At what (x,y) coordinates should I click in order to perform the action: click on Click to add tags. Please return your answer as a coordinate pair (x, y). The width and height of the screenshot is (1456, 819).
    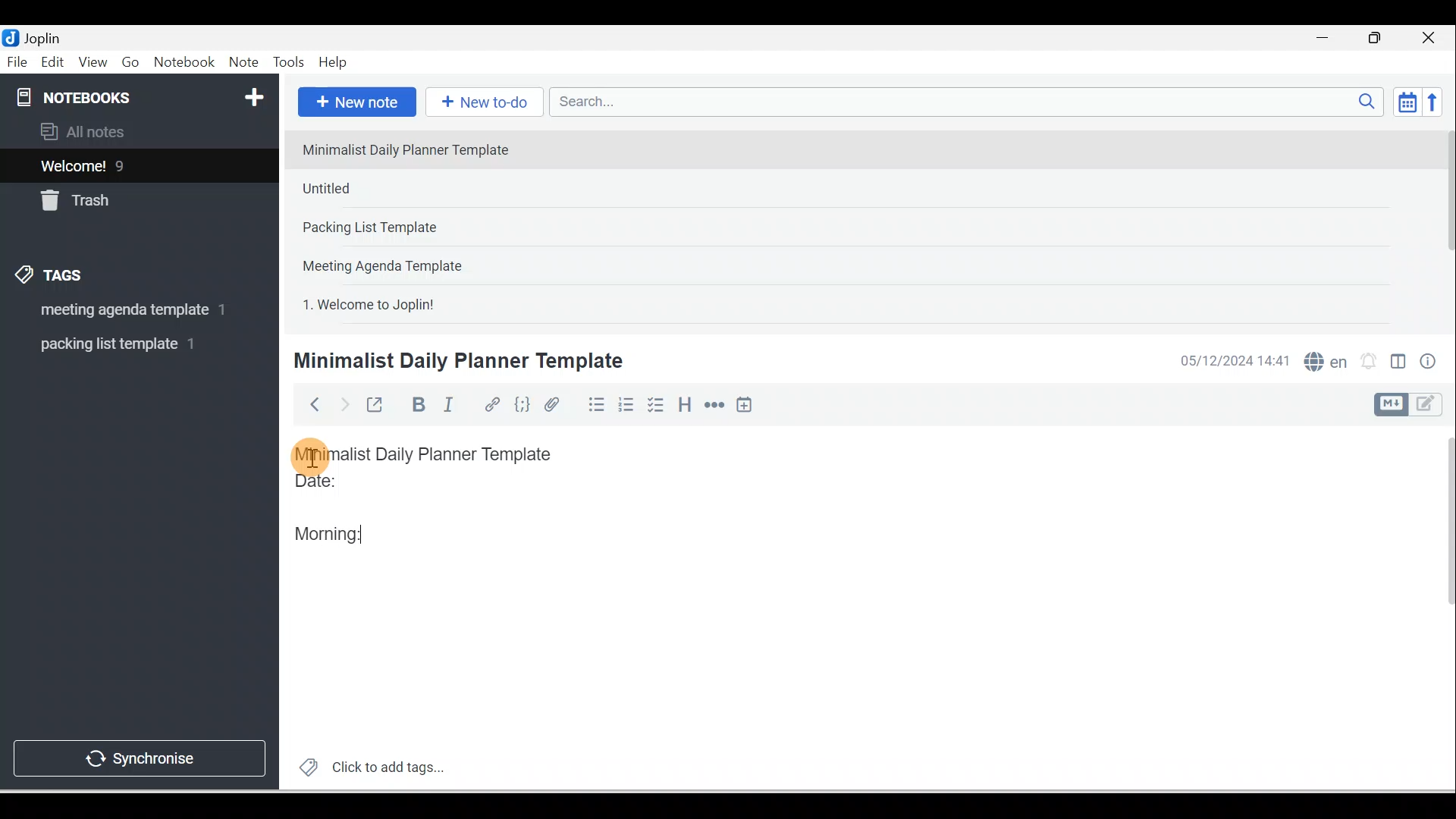
    Looking at the image, I should click on (366, 765).